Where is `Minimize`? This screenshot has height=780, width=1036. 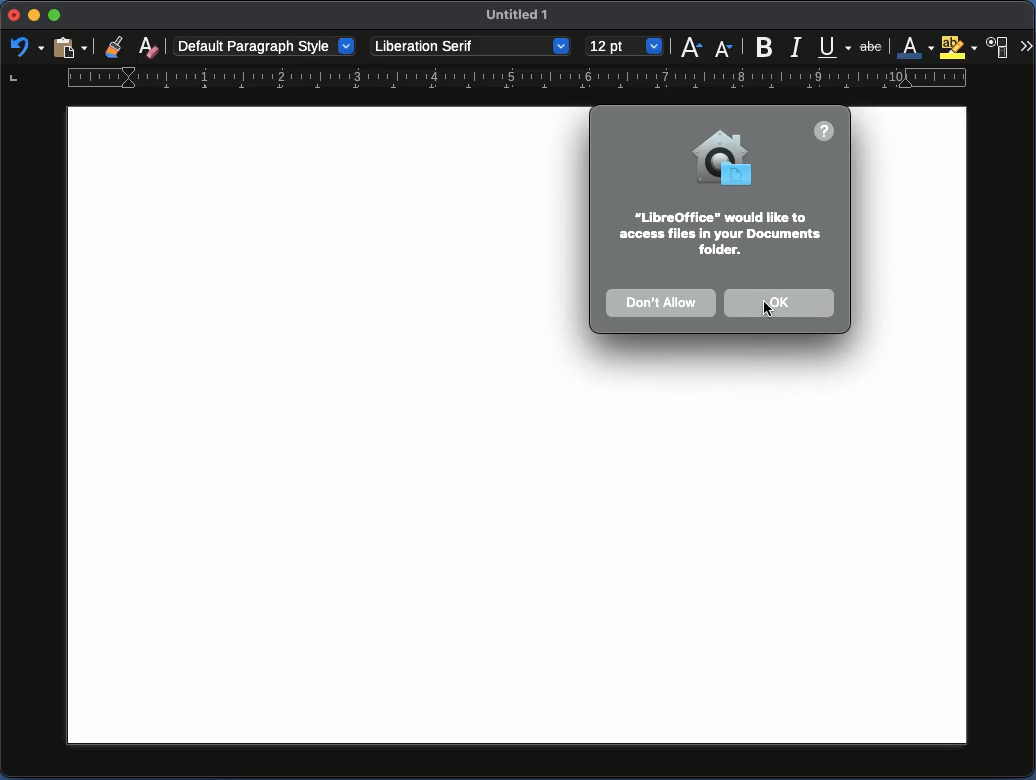
Minimize is located at coordinates (56, 16).